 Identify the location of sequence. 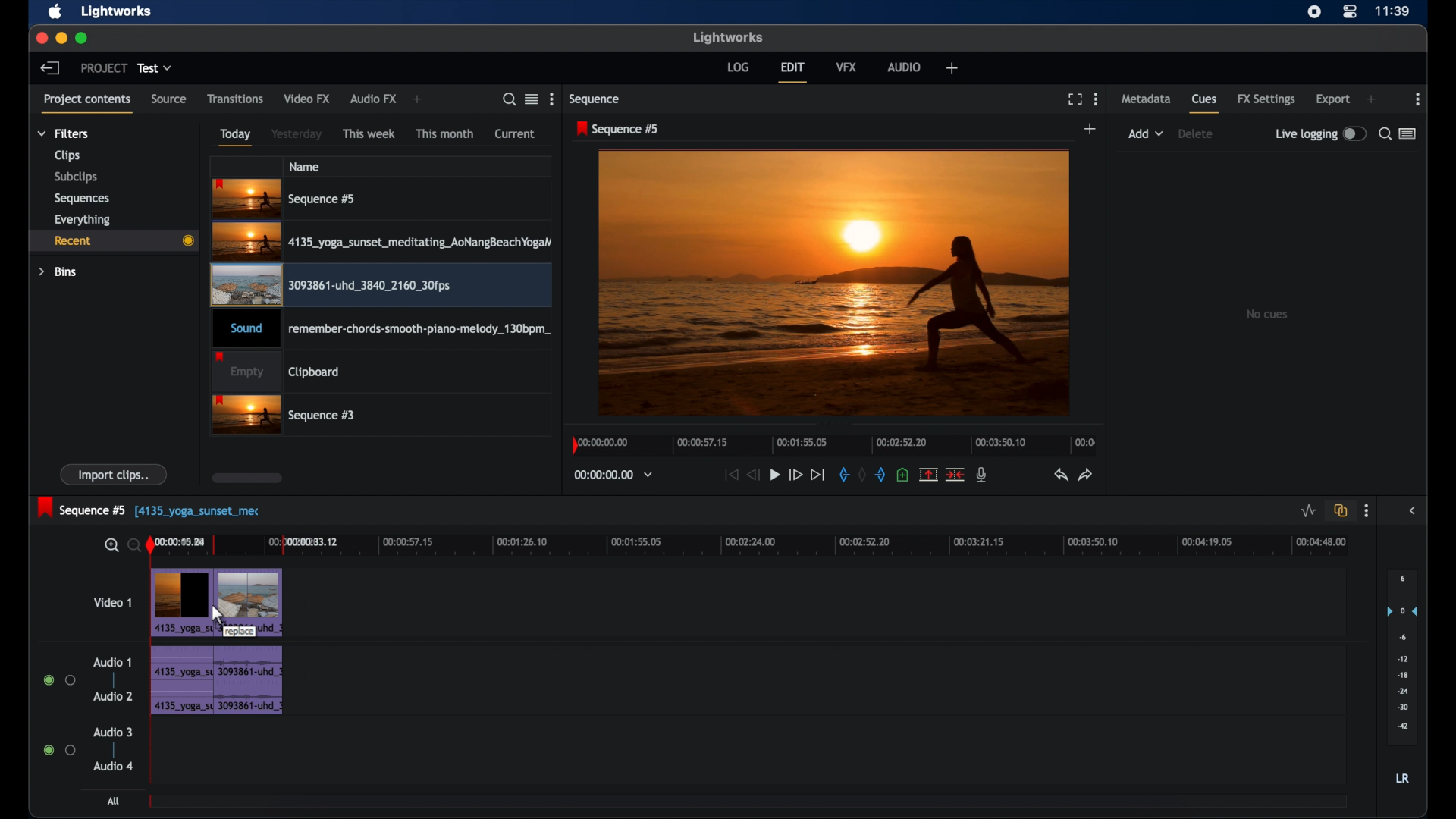
(595, 101).